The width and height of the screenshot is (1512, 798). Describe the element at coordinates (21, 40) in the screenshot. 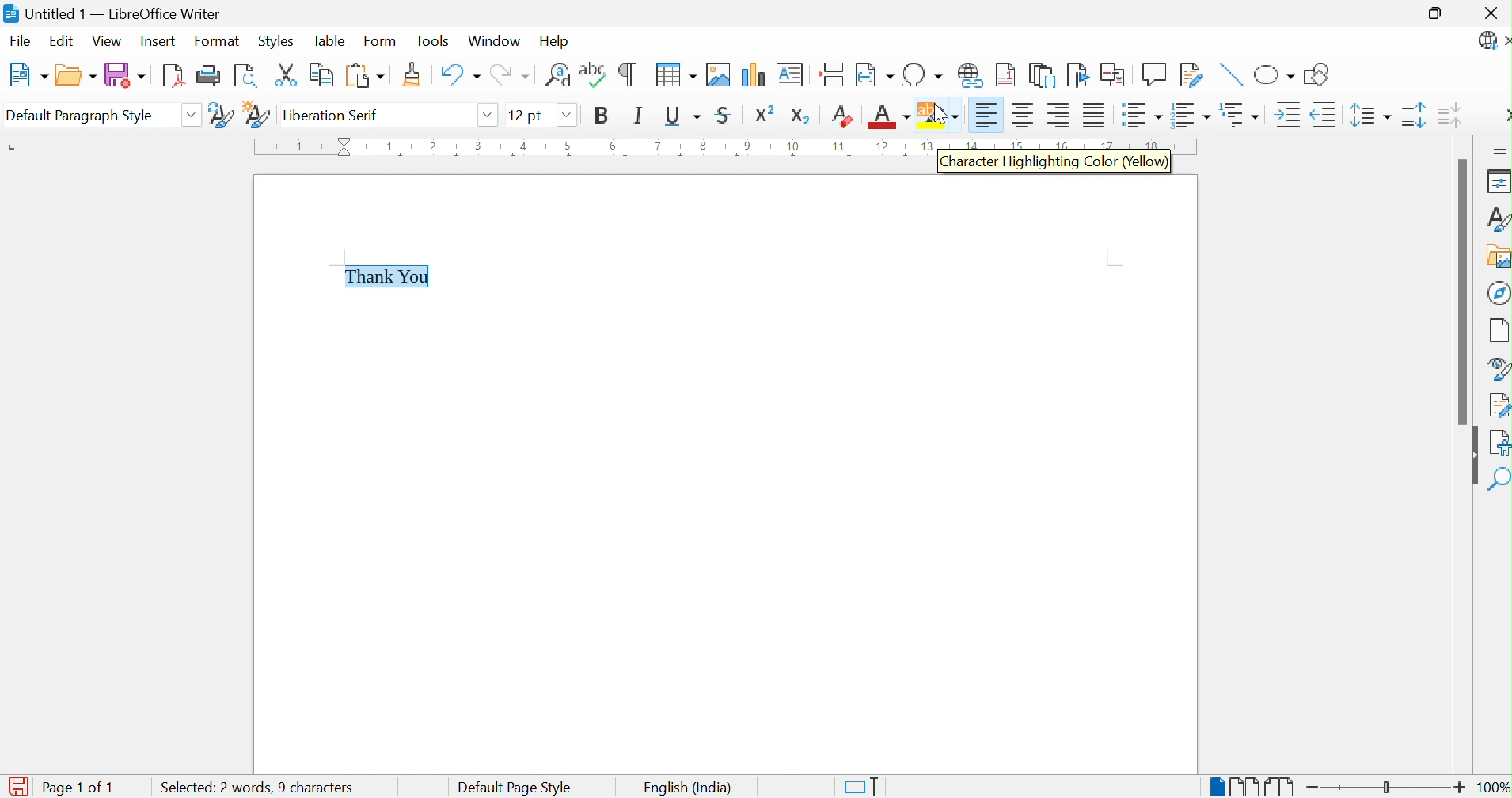

I see `File` at that location.